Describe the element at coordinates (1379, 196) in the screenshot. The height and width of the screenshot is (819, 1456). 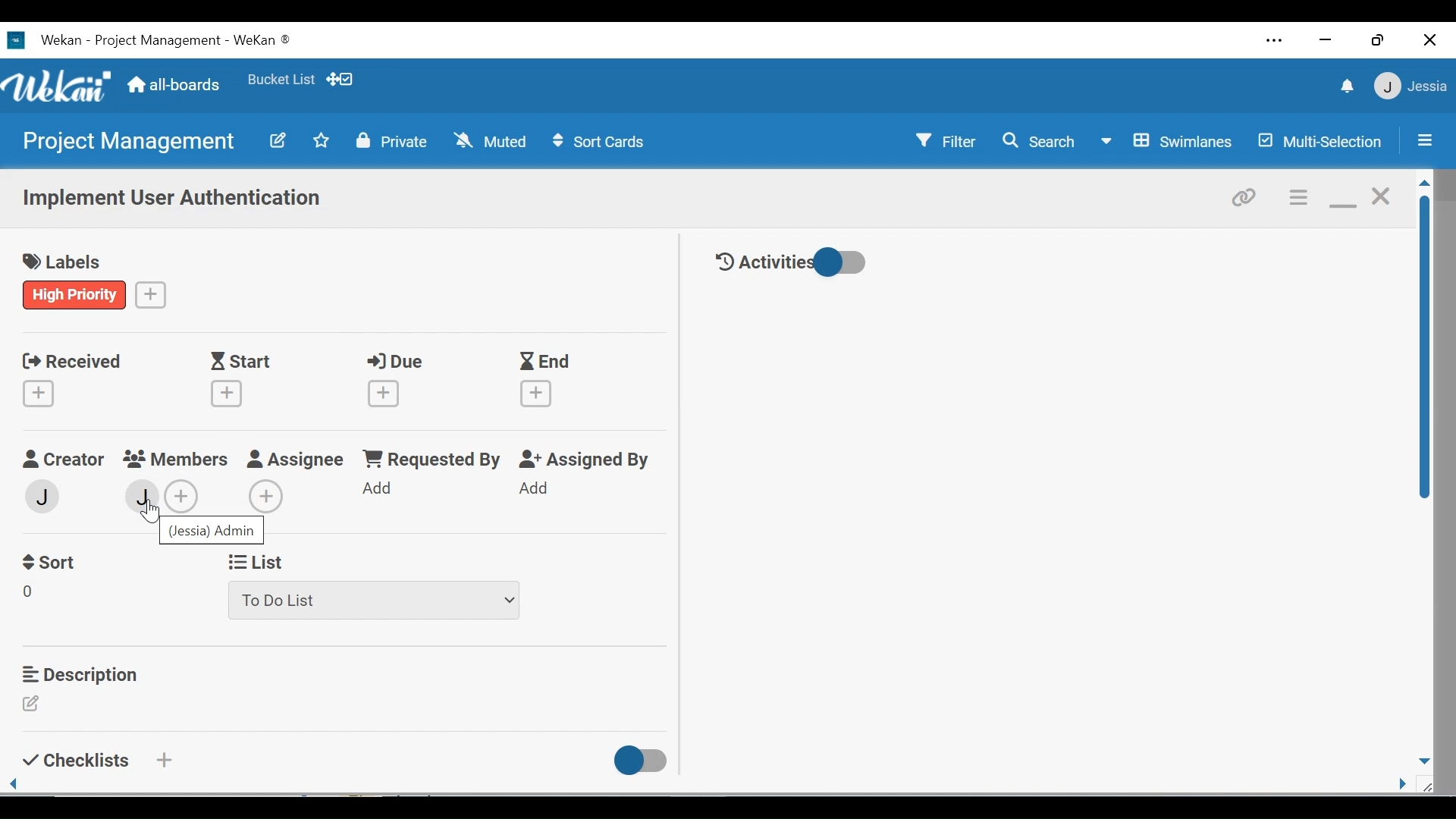
I see `close` at that location.